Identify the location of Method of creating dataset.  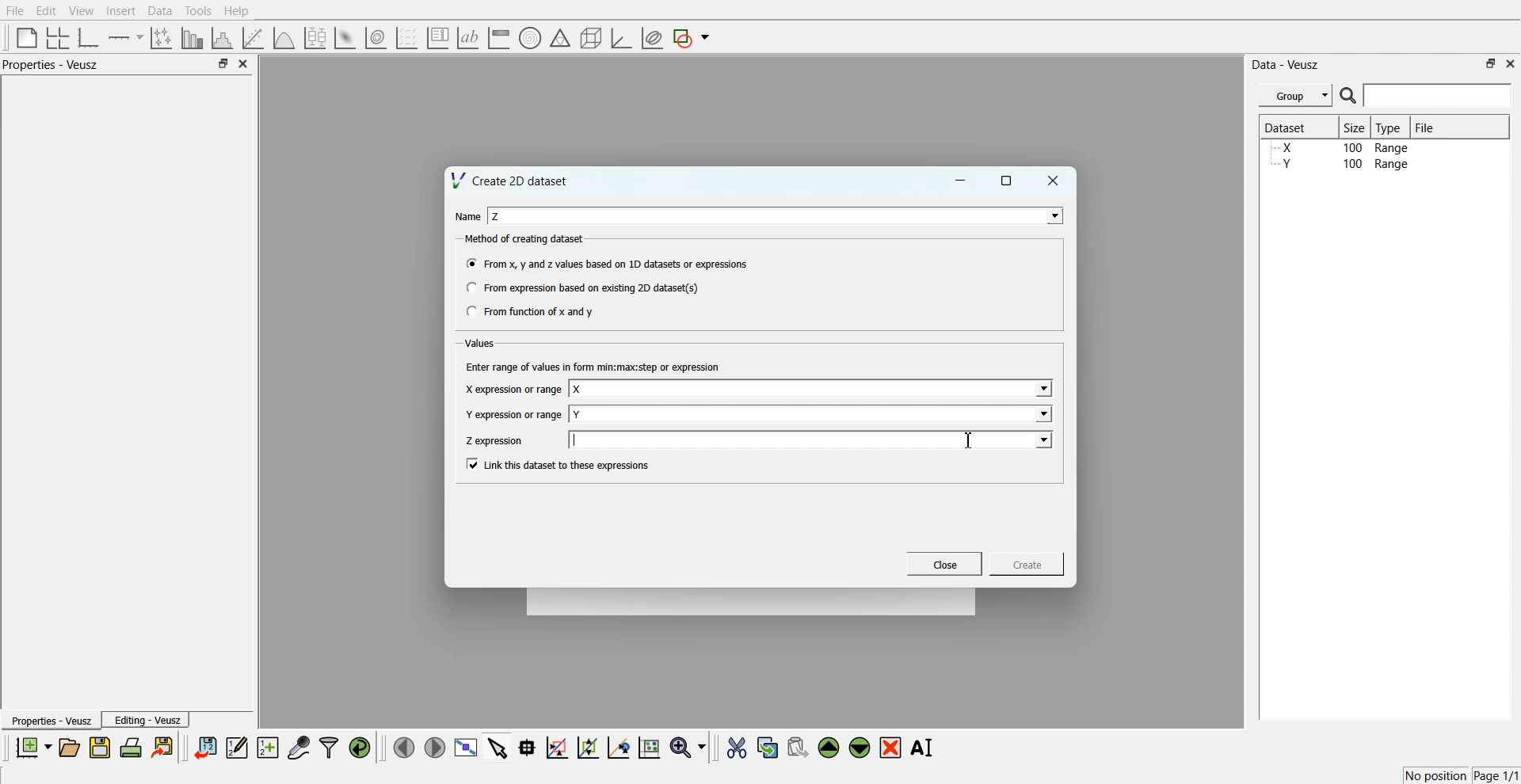
(526, 239).